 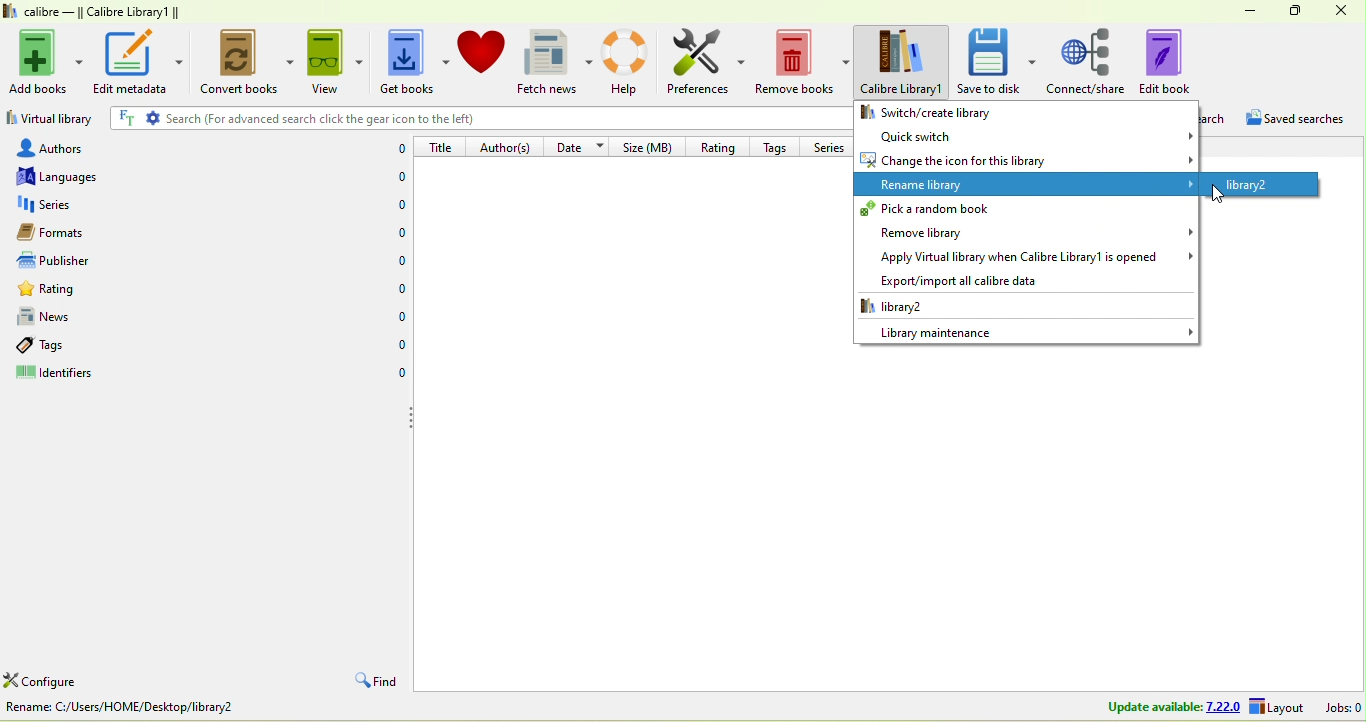 I want to click on maximize, so click(x=1290, y=10).